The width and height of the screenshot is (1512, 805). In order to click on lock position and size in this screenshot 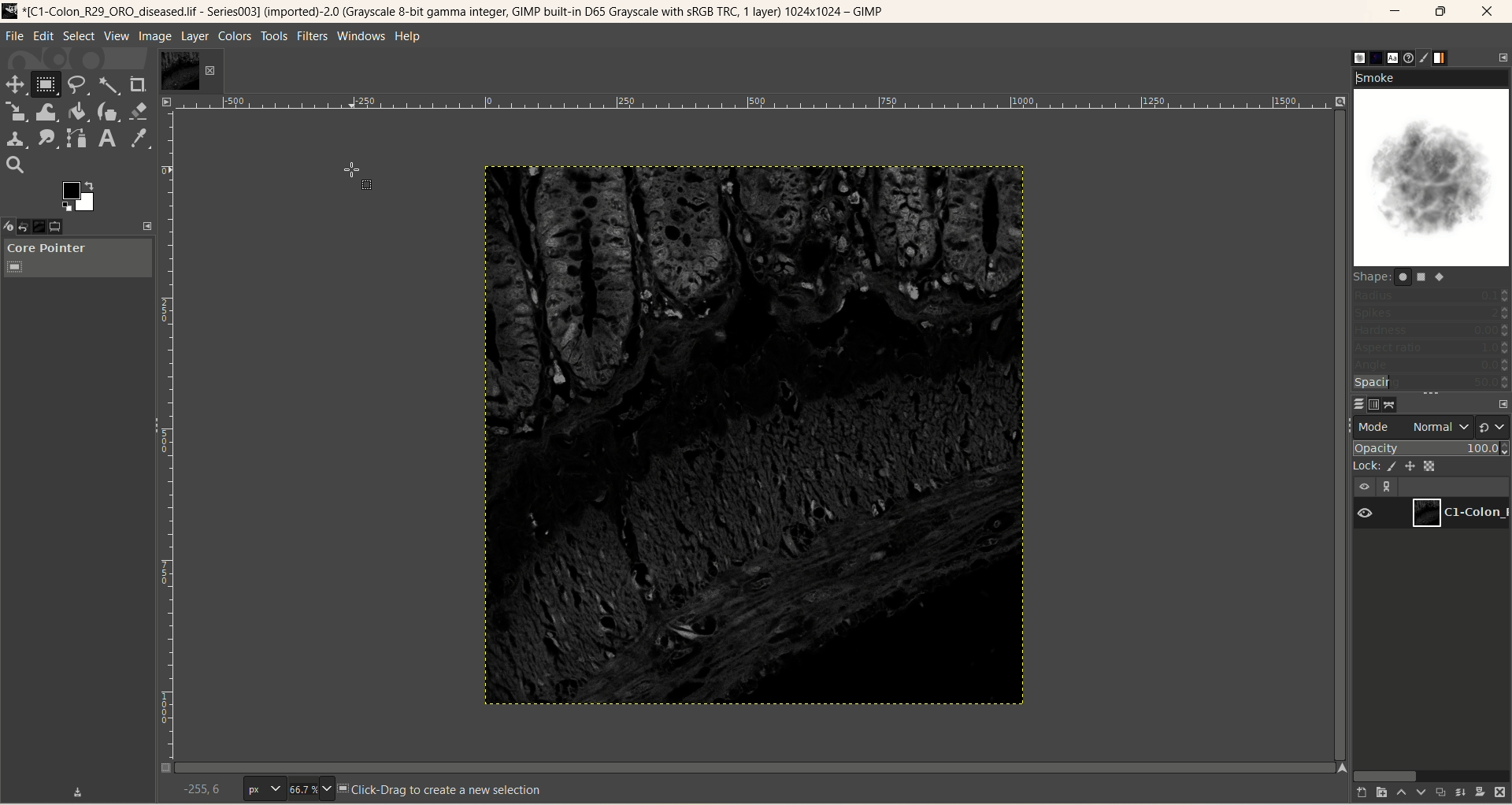, I will do `click(1410, 467)`.